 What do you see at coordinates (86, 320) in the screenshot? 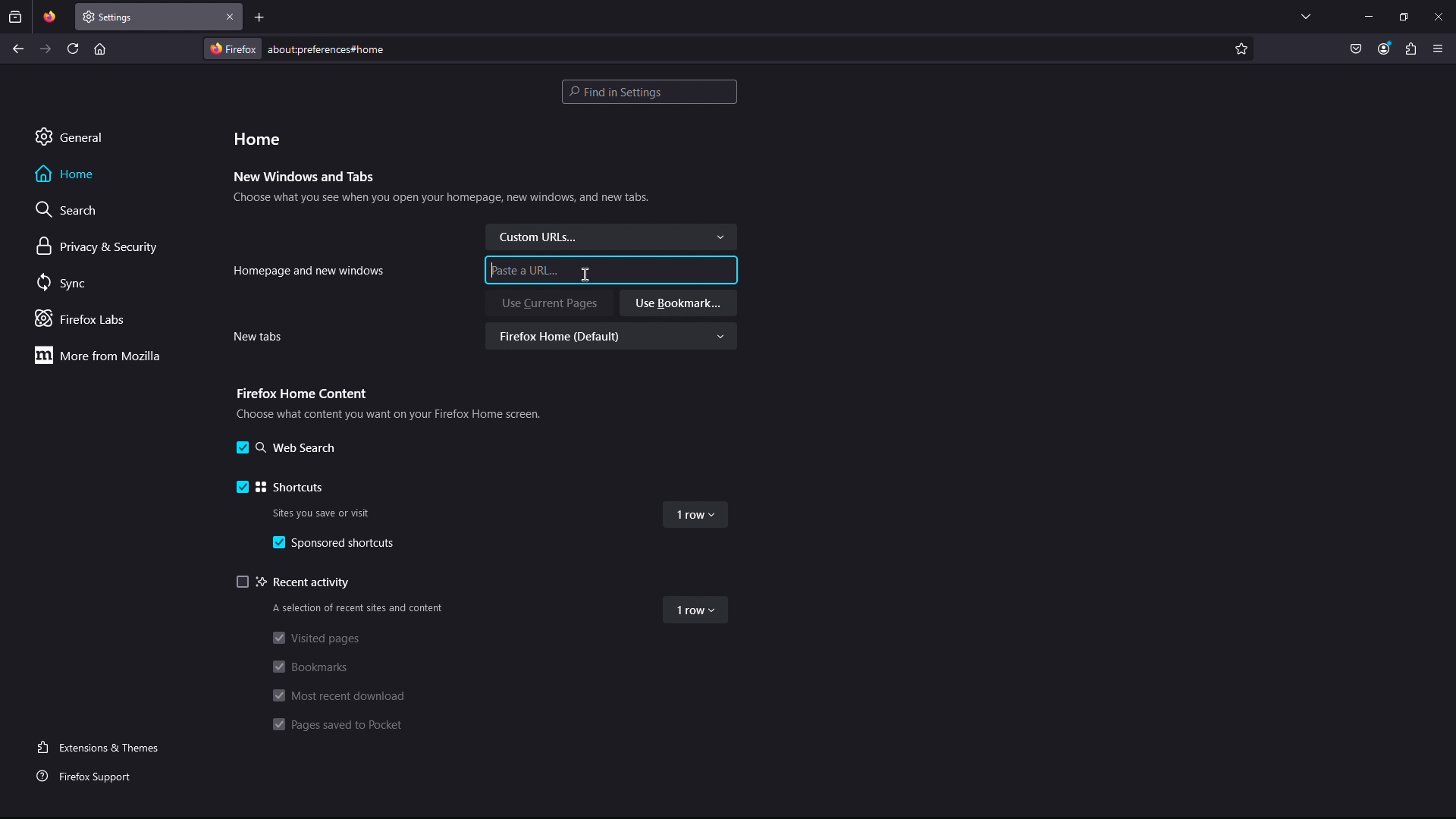
I see `Firefox Labs` at bounding box center [86, 320].